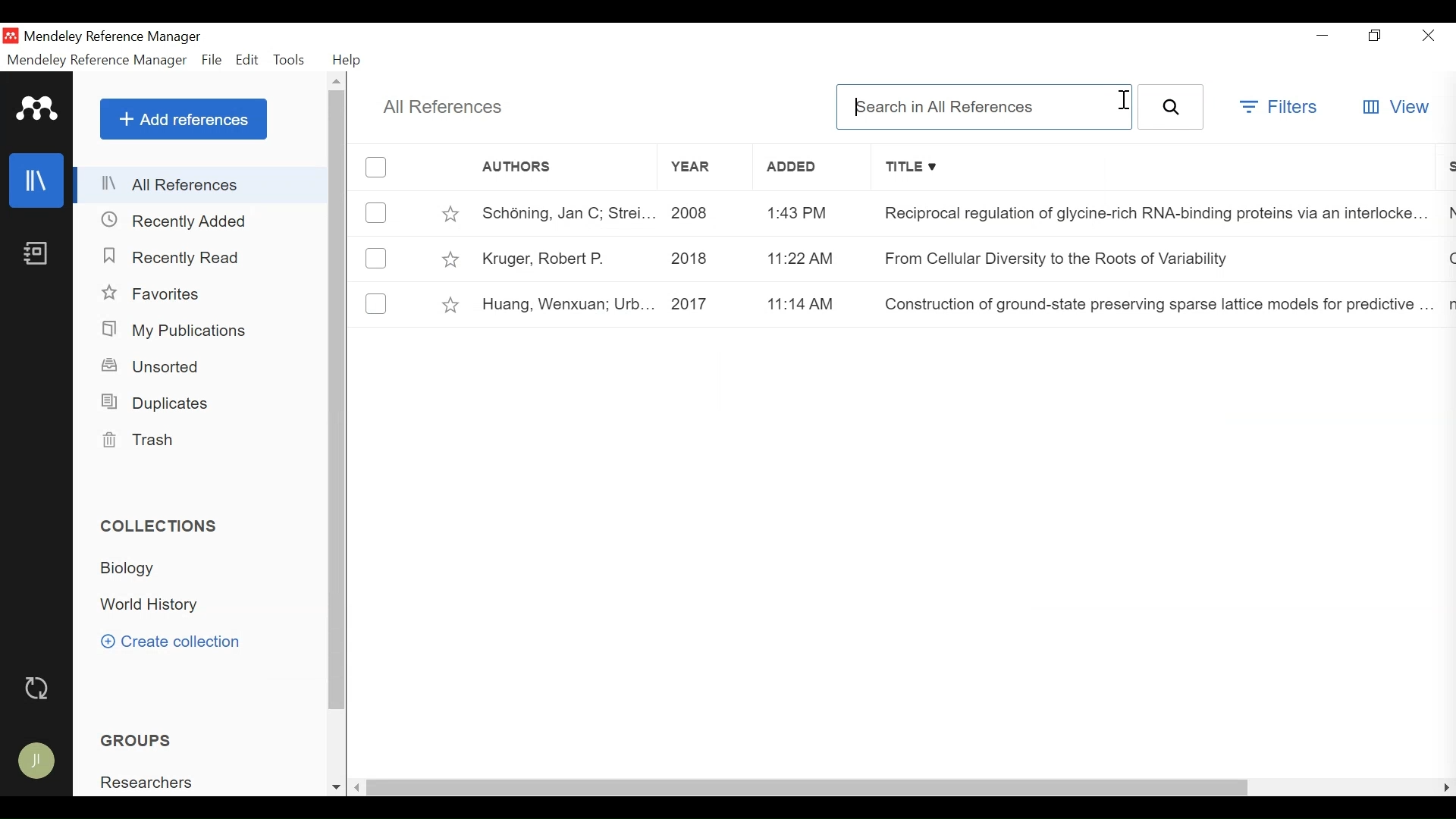 Image resolution: width=1456 pixels, height=819 pixels. What do you see at coordinates (1145, 214) in the screenshot?
I see `Reciprocal regulation of glycine-rich RNA-binding proteins via an interlocke.` at bounding box center [1145, 214].